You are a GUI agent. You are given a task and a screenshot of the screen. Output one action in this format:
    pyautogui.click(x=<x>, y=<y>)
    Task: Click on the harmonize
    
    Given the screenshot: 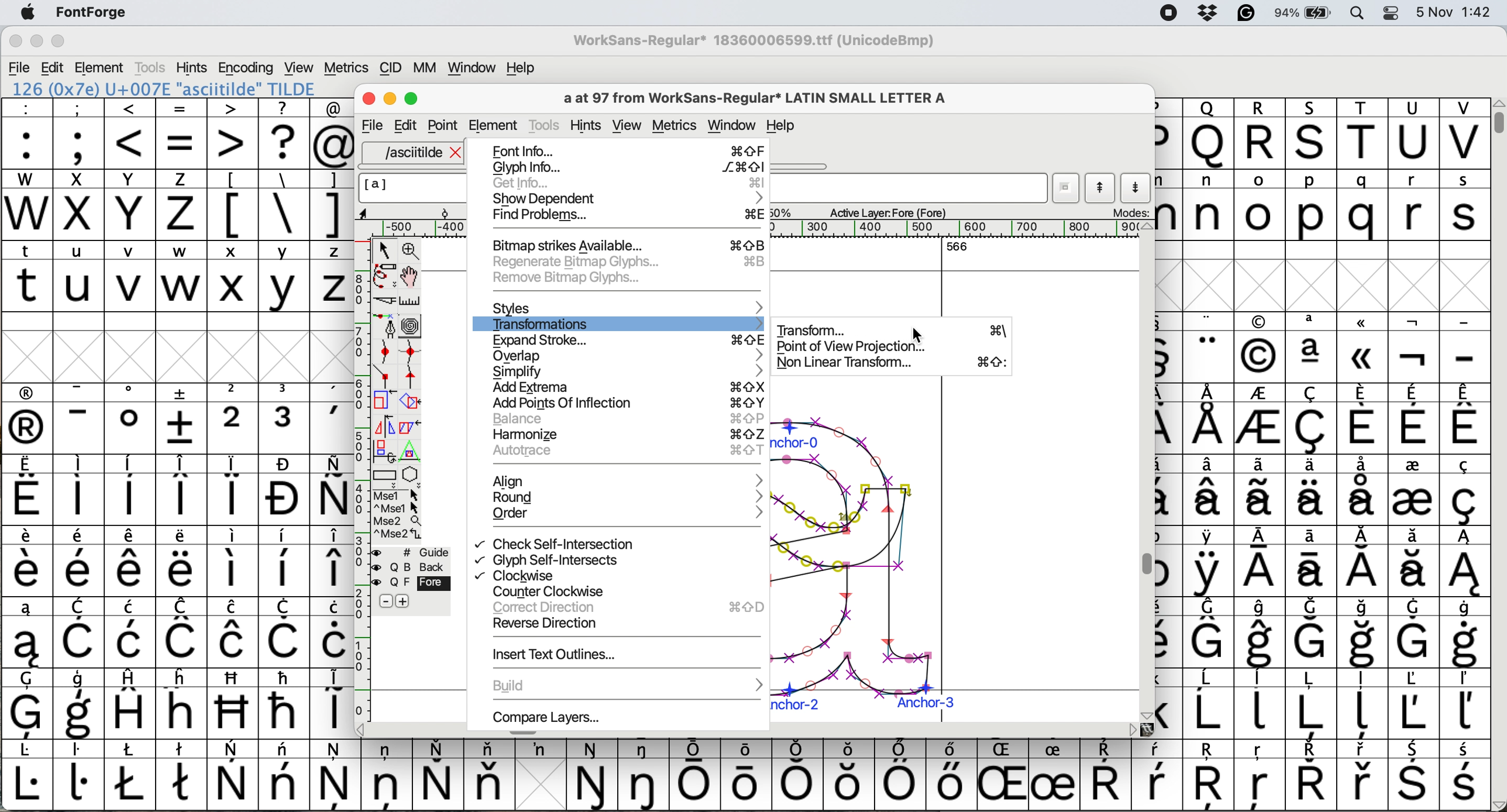 What is the action you would take?
    pyautogui.click(x=629, y=433)
    